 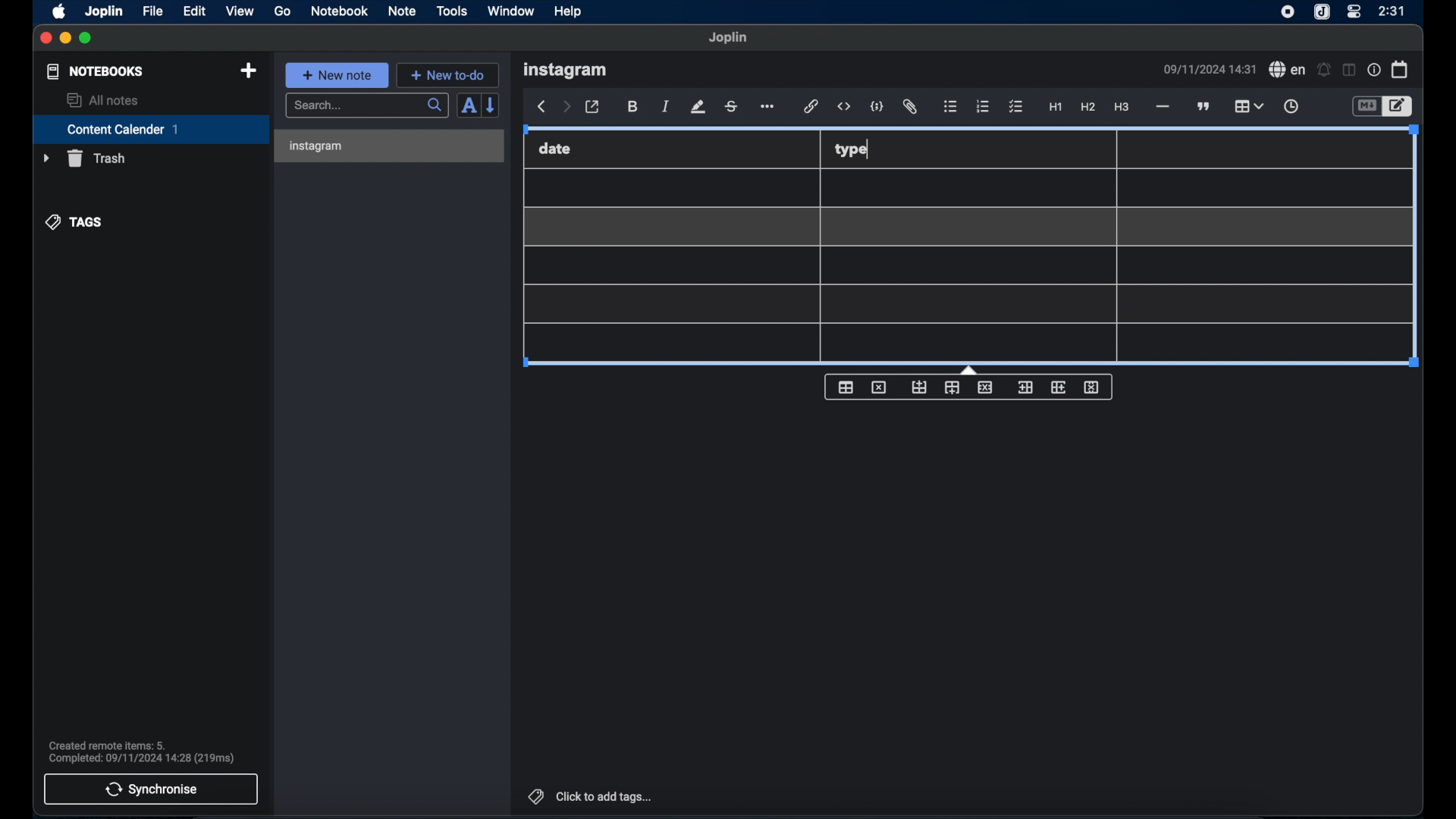 I want to click on reverse sort order, so click(x=491, y=105).